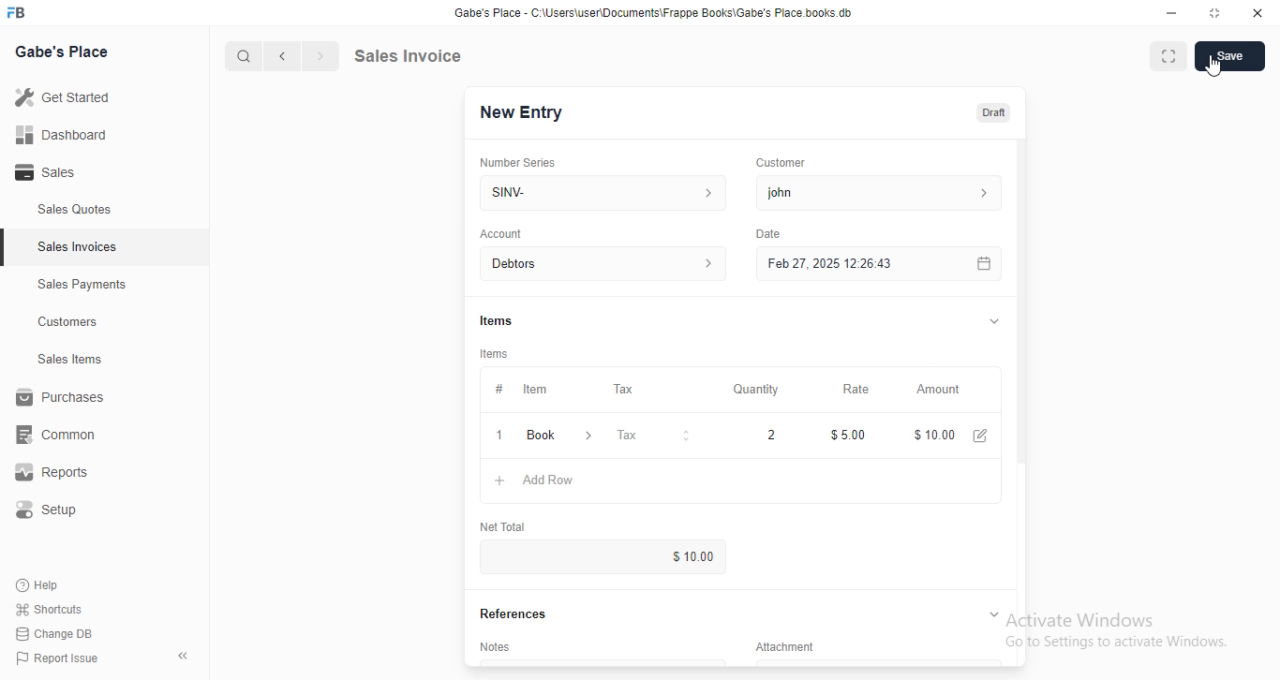 Image resolution: width=1280 pixels, height=680 pixels. I want to click on previous, so click(284, 54).